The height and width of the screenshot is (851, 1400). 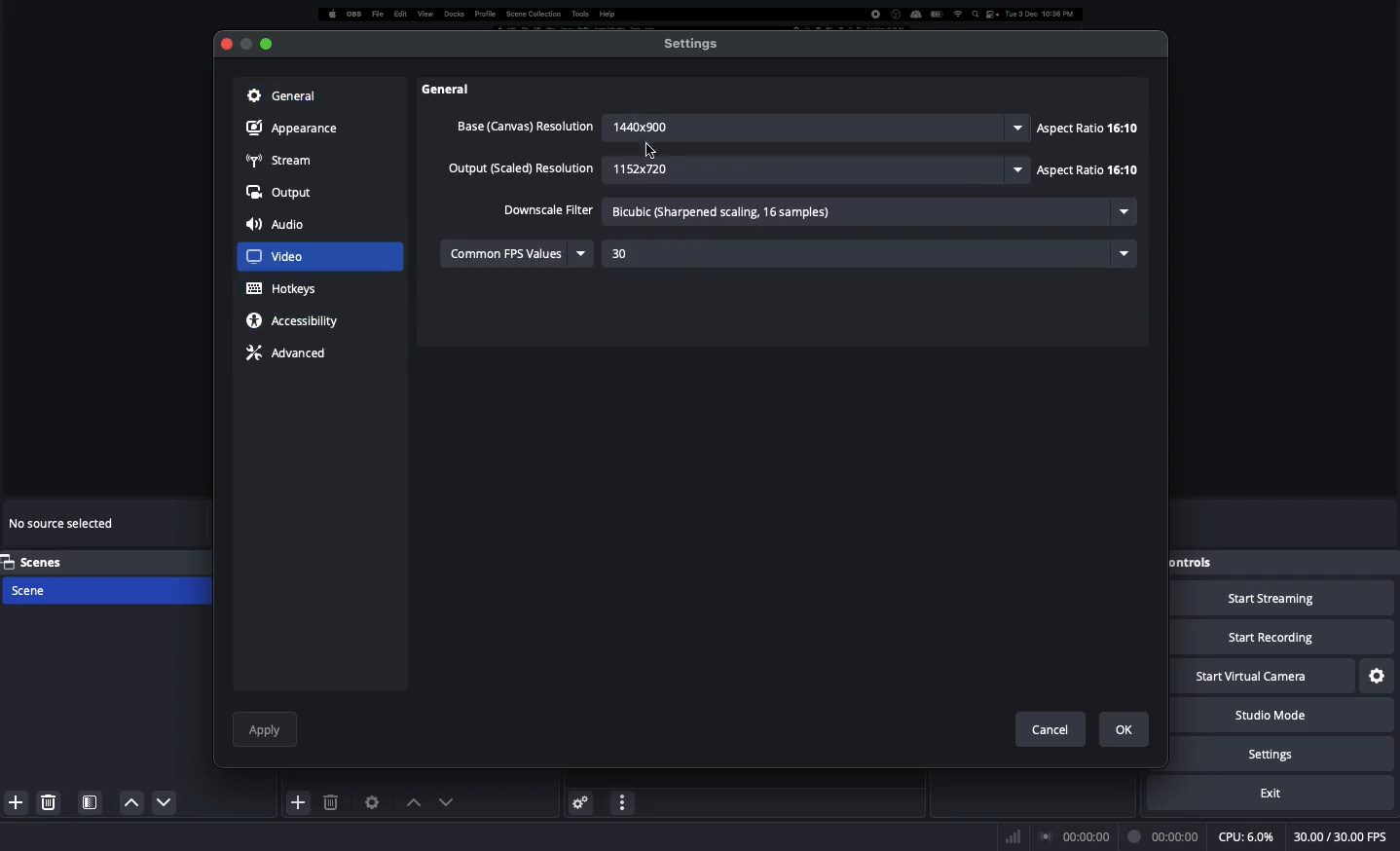 I want to click on Appearance, so click(x=297, y=127).